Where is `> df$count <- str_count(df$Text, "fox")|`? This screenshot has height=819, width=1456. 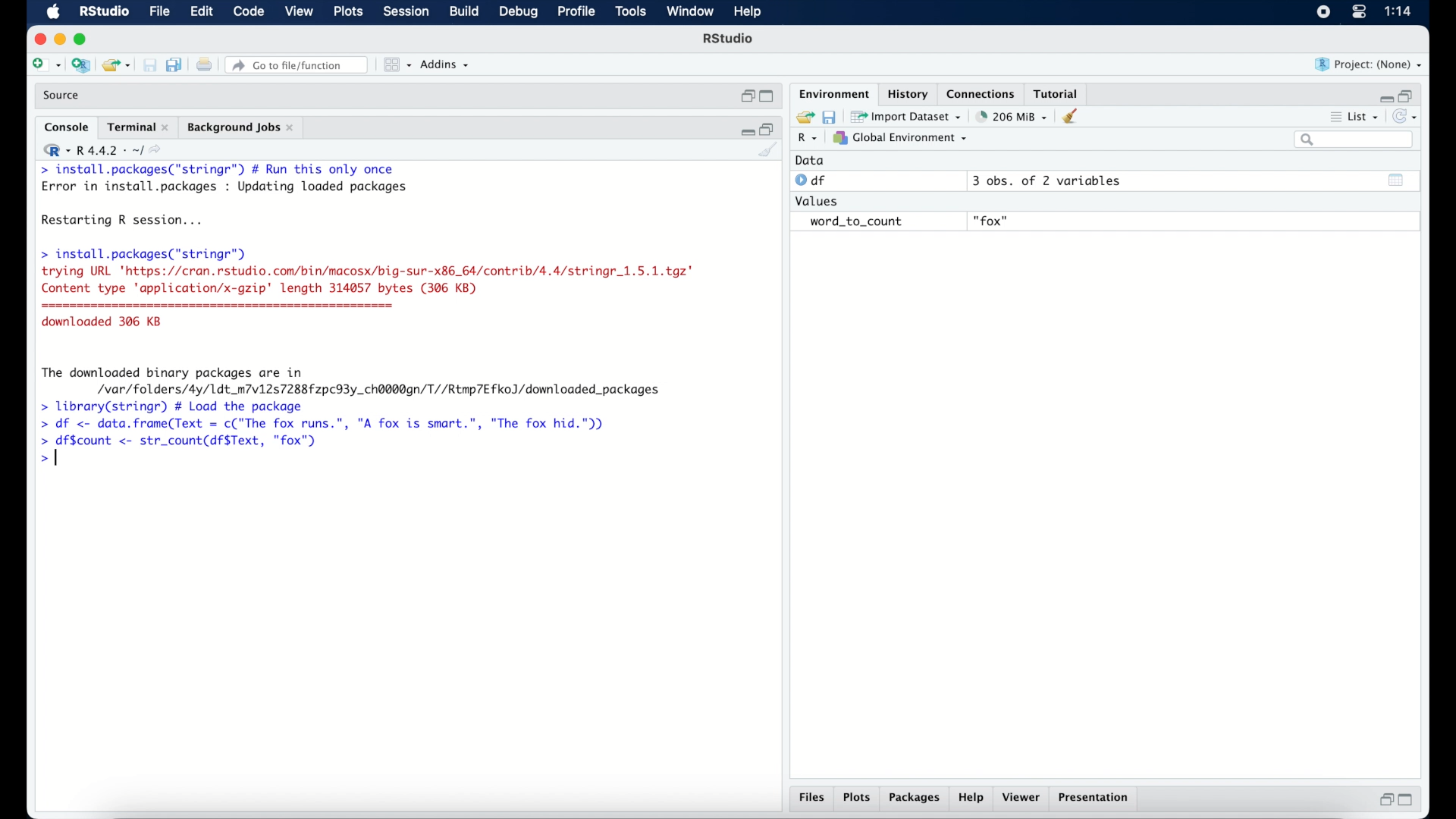 > df$count <- str_count(df$Text, "fox")| is located at coordinates (184, 441).